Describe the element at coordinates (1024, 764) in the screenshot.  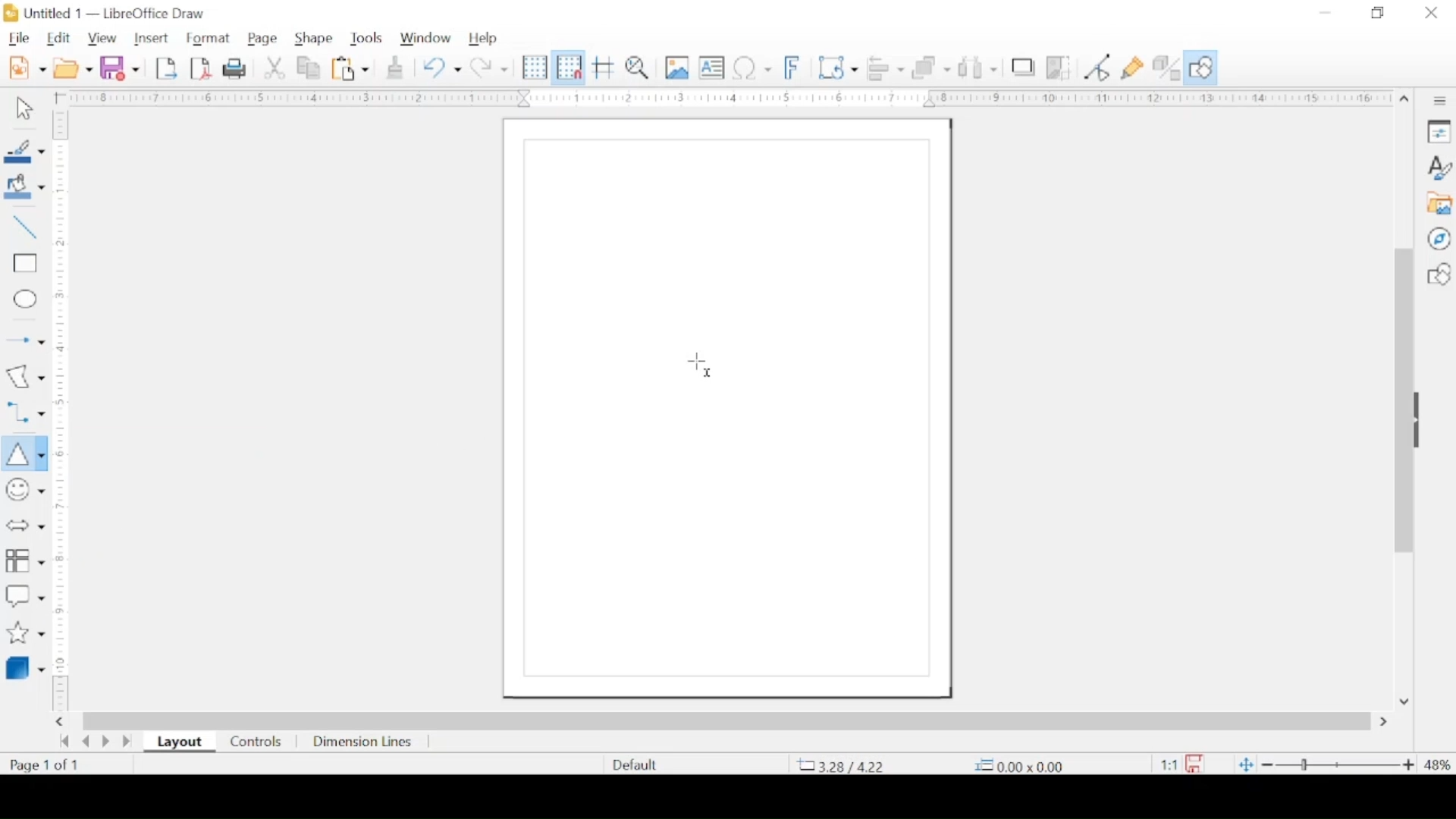
I see `coordinate` at that location.